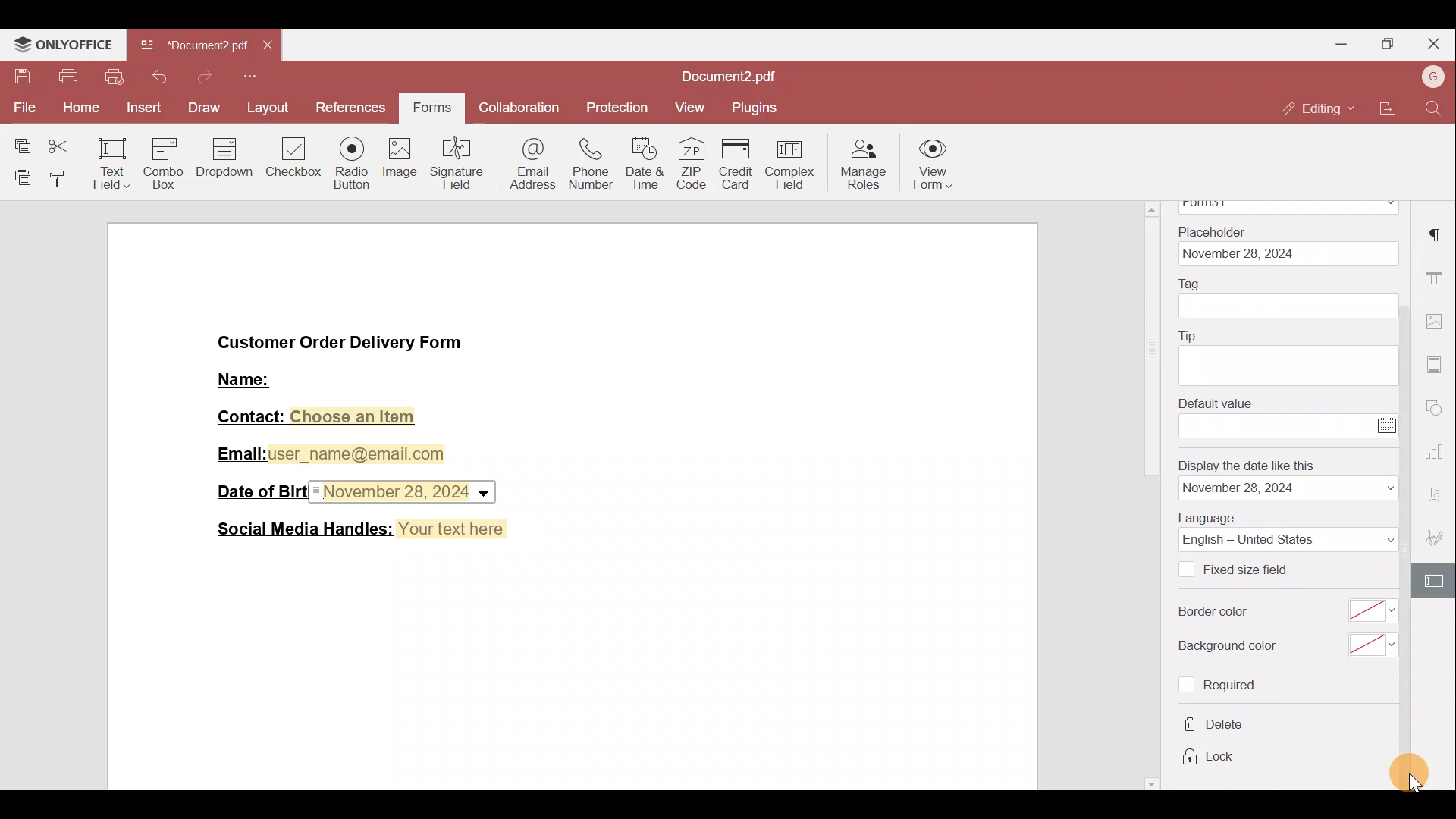  Describe the element at coordinates (1438, 324) in the screenshot. I see `Image settings` at that location.